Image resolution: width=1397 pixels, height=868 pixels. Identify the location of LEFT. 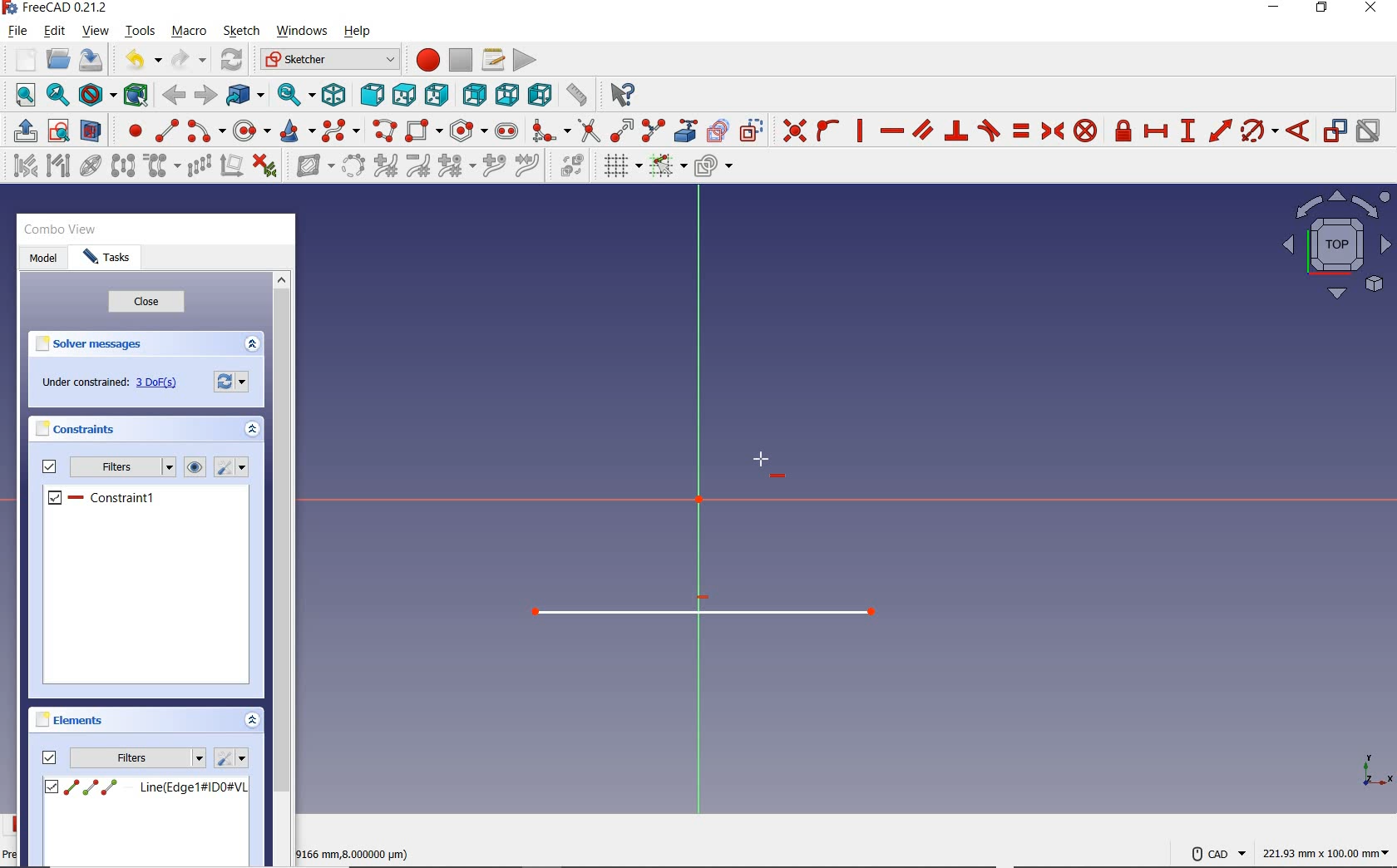
(541, 96).